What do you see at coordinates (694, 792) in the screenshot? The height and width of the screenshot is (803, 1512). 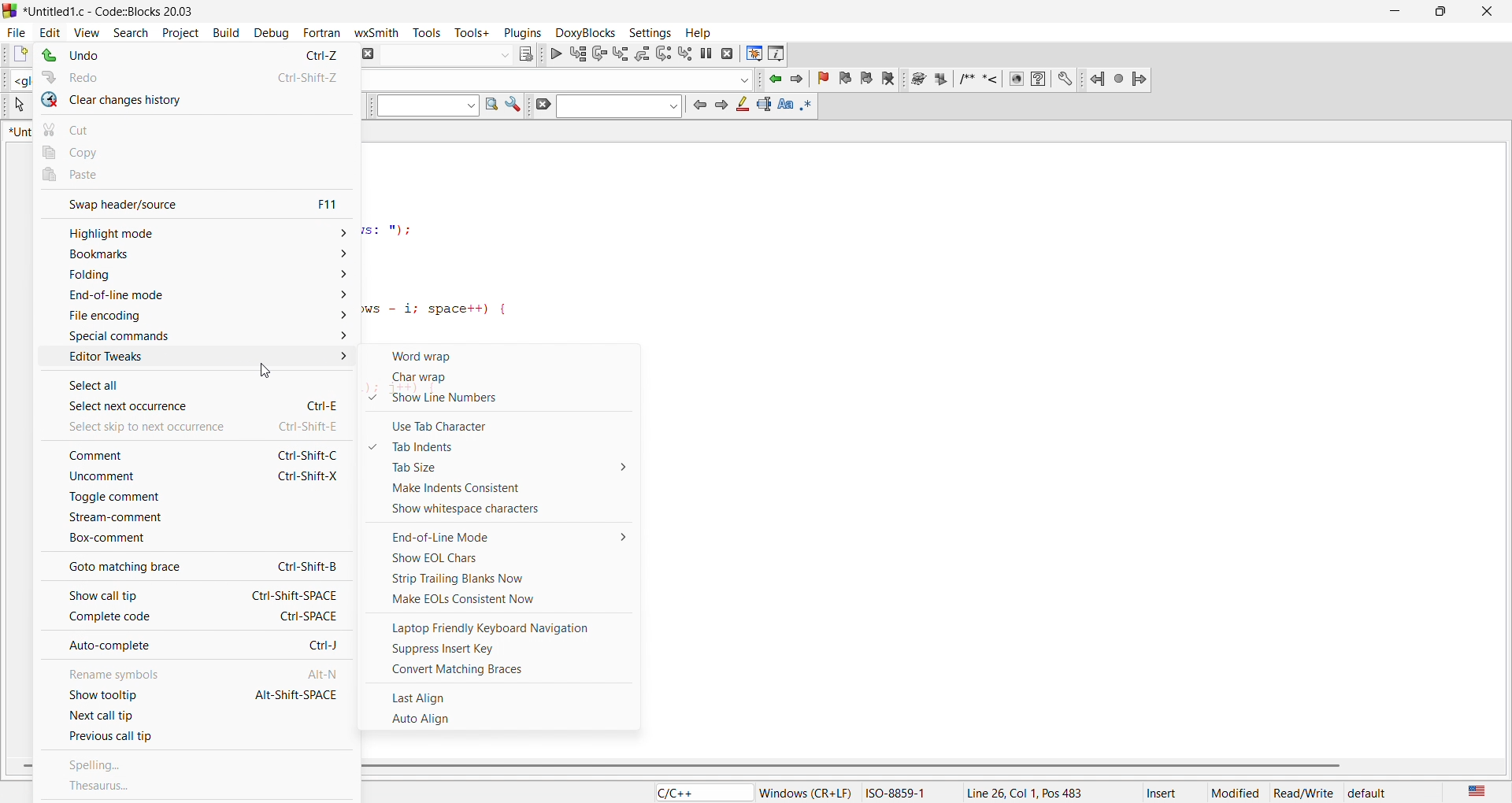 I see `file type` at bounding box center [694, 792].